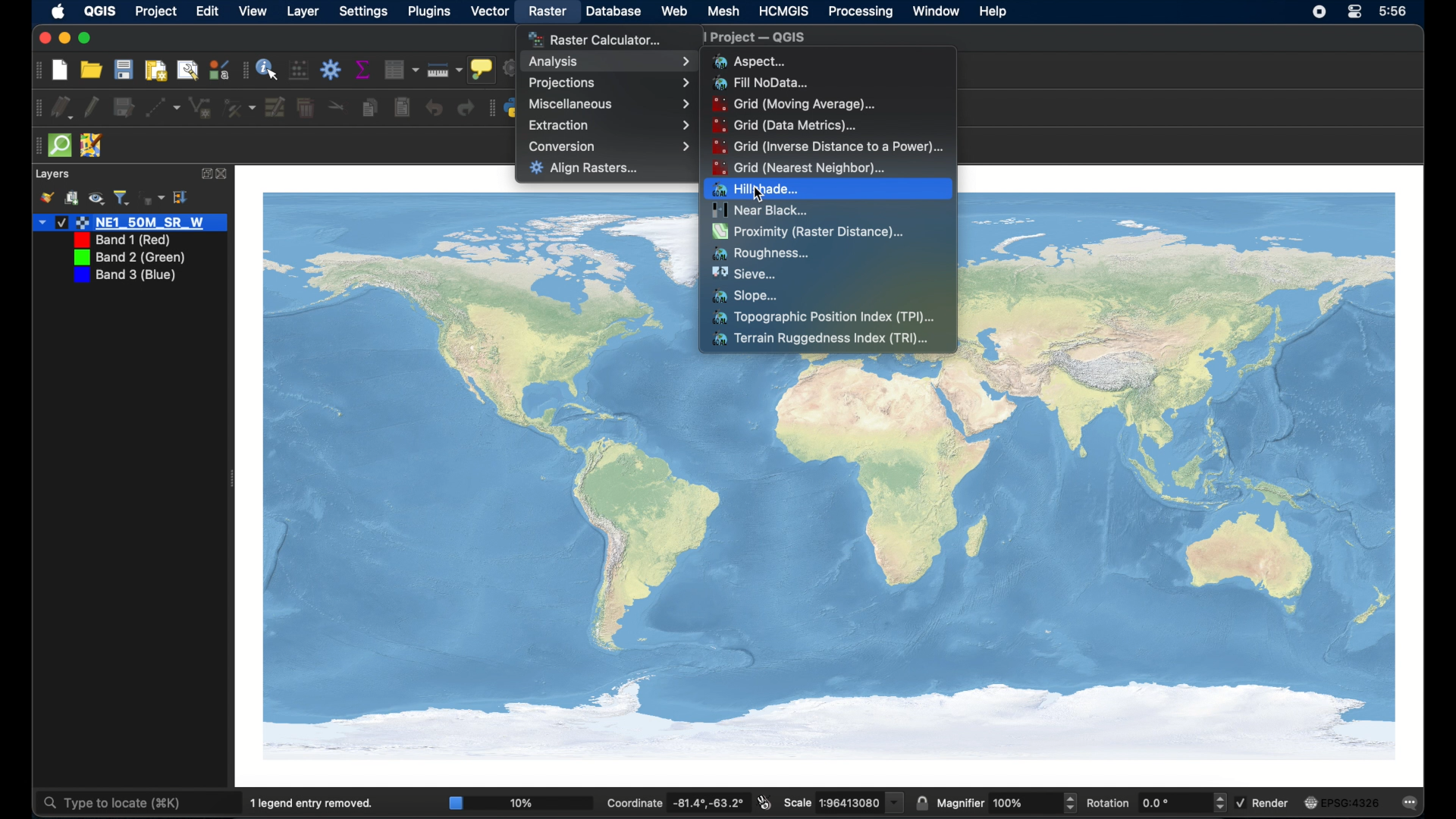 This screenshot has width=1456, height=819. What do you see at coordinates (255, 11) in the screenshot?
I see `view` at bounding box center [255, 11].